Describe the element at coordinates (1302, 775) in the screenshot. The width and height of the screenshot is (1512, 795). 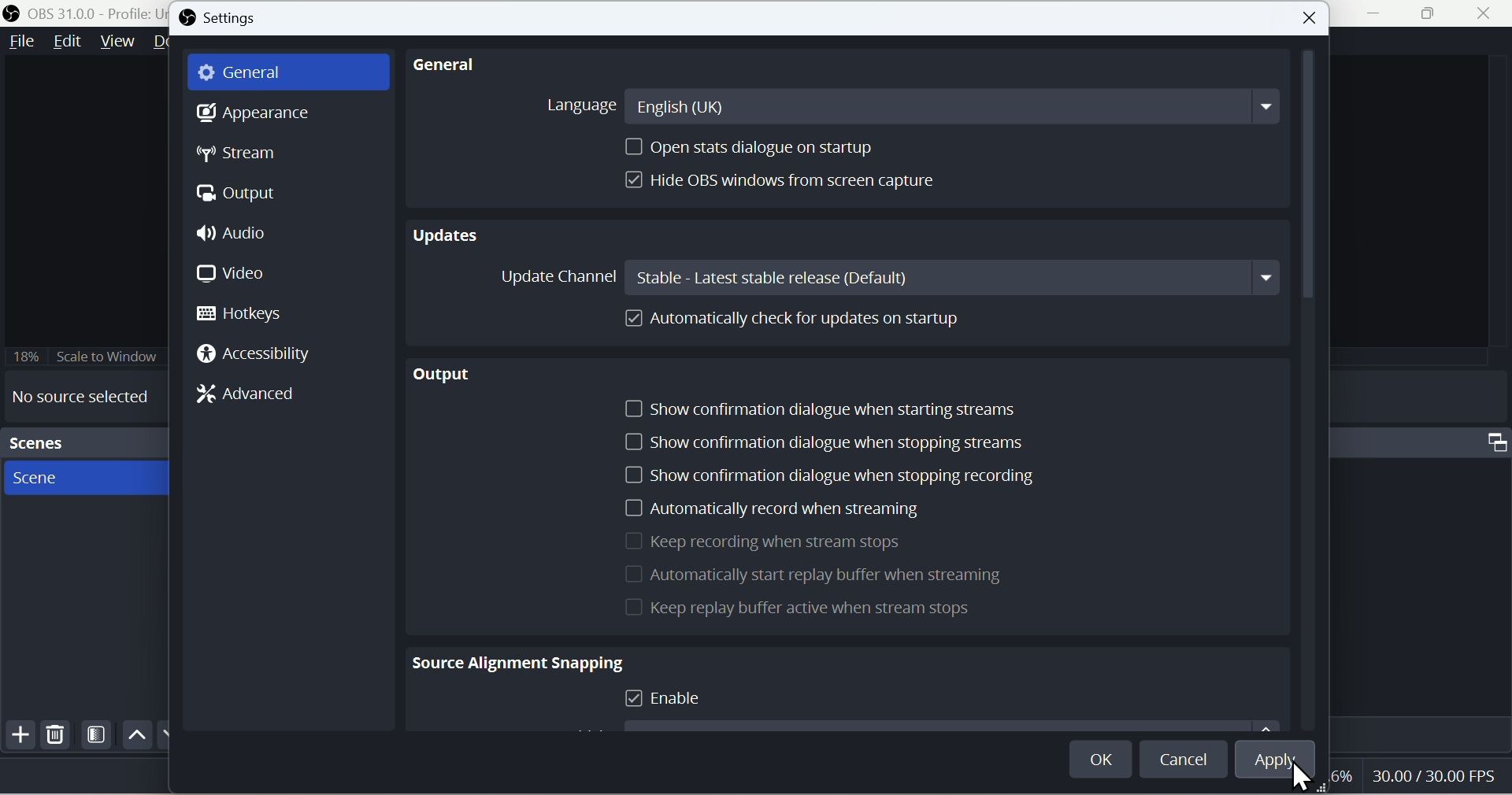
I see `Cursor` at that location.